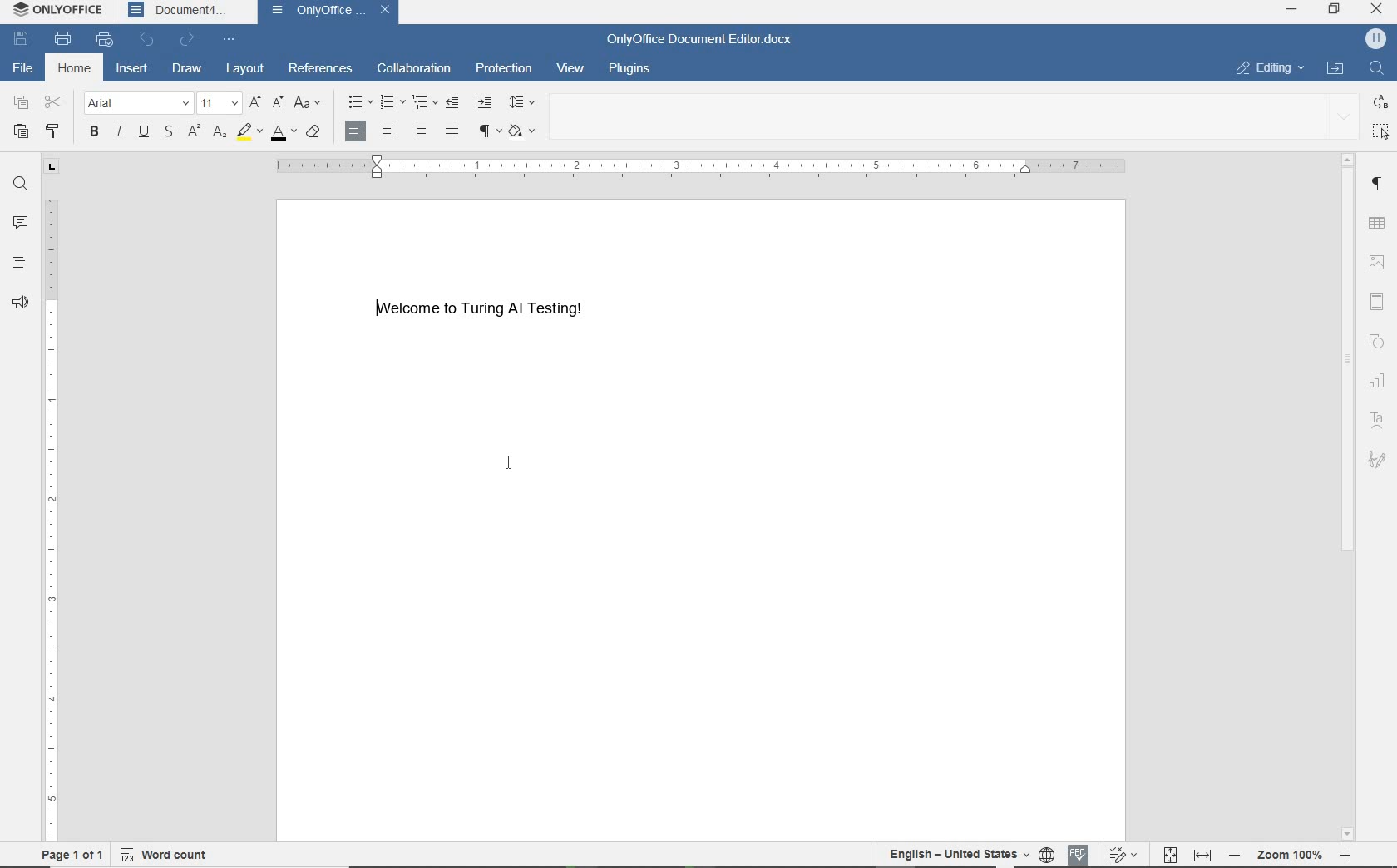  What do you see at coordinates (22, 133) in the screenshot?
I see `paste` at bounding box center [22, 133].